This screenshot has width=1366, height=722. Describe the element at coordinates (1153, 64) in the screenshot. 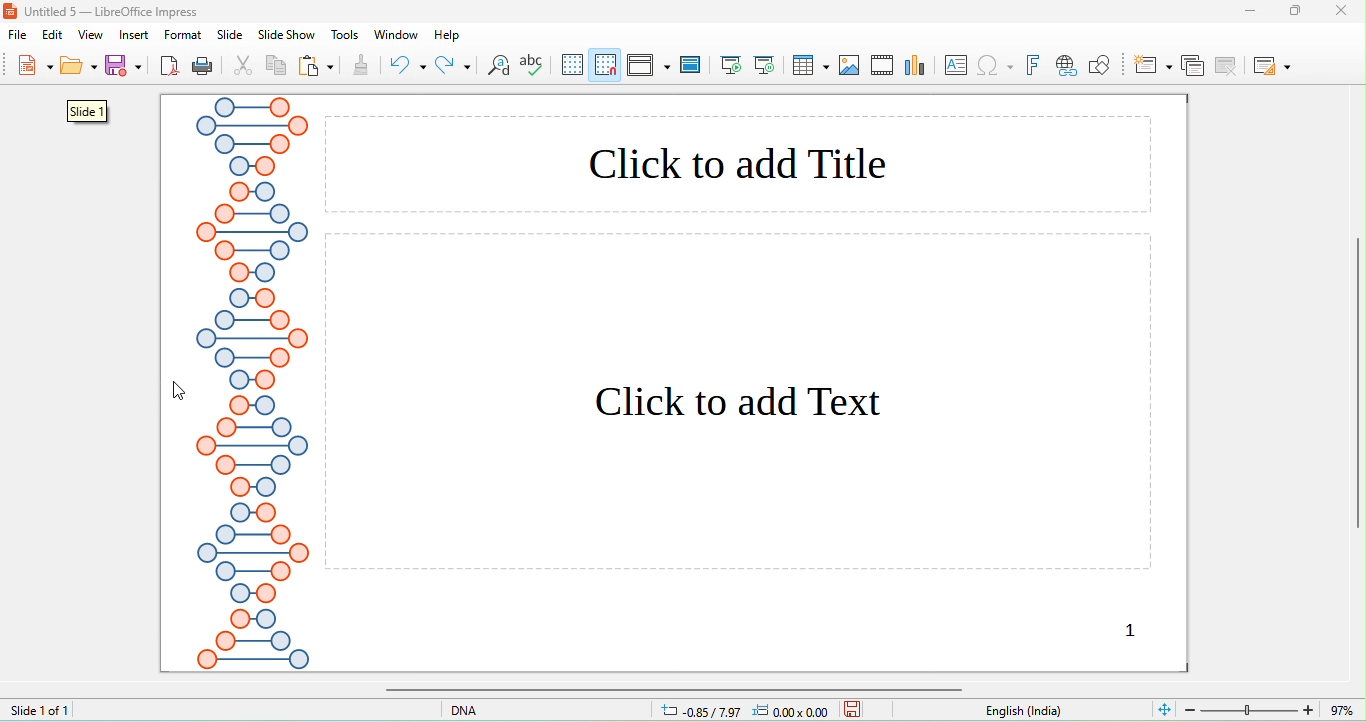

I see `new slide` at that location.